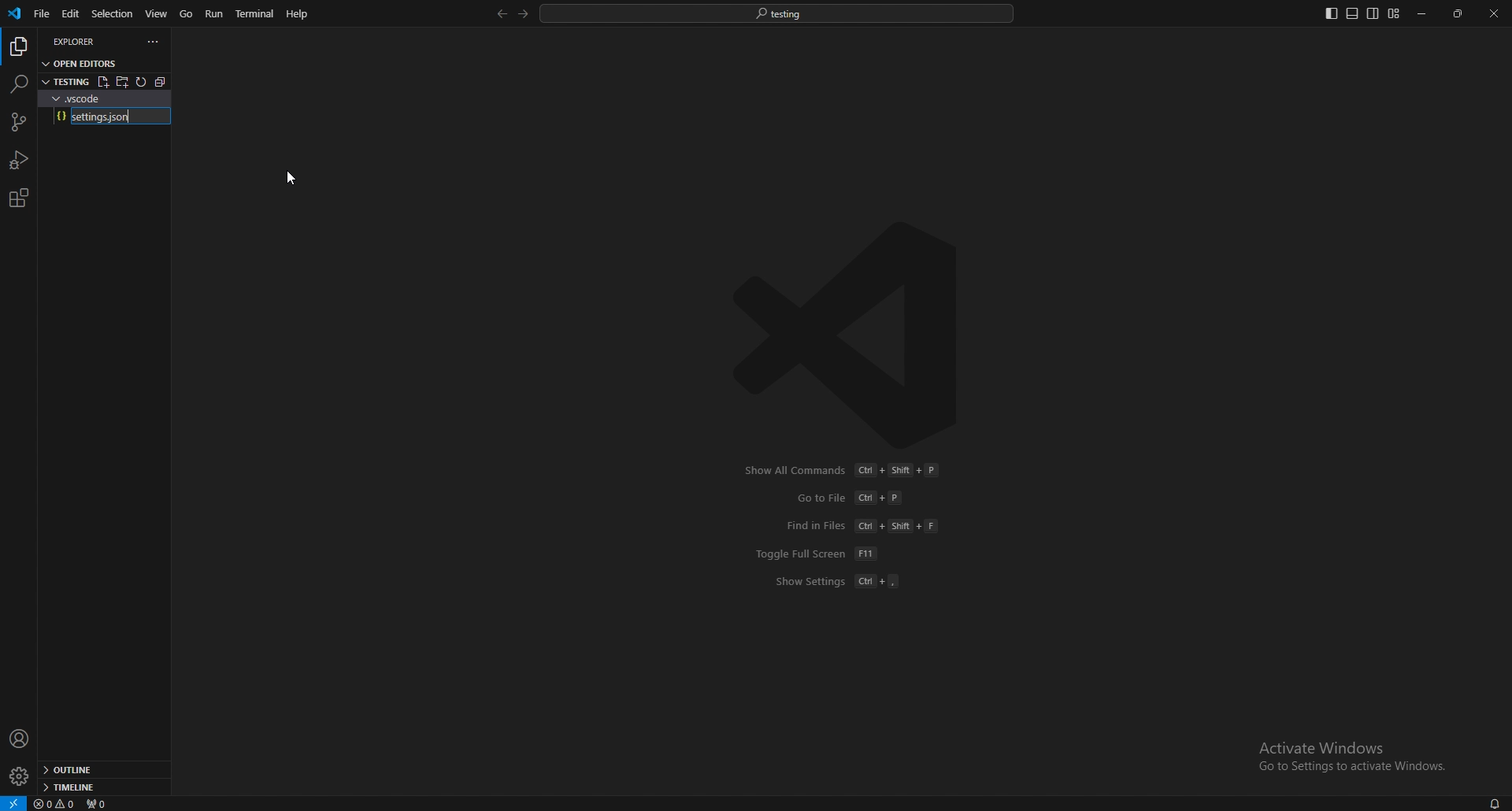 This screenshot has width=1512, height=811. What do you see at coordinates (123, 81) in the screenshot?
I see `new folder` at bounding box center [123, 81].